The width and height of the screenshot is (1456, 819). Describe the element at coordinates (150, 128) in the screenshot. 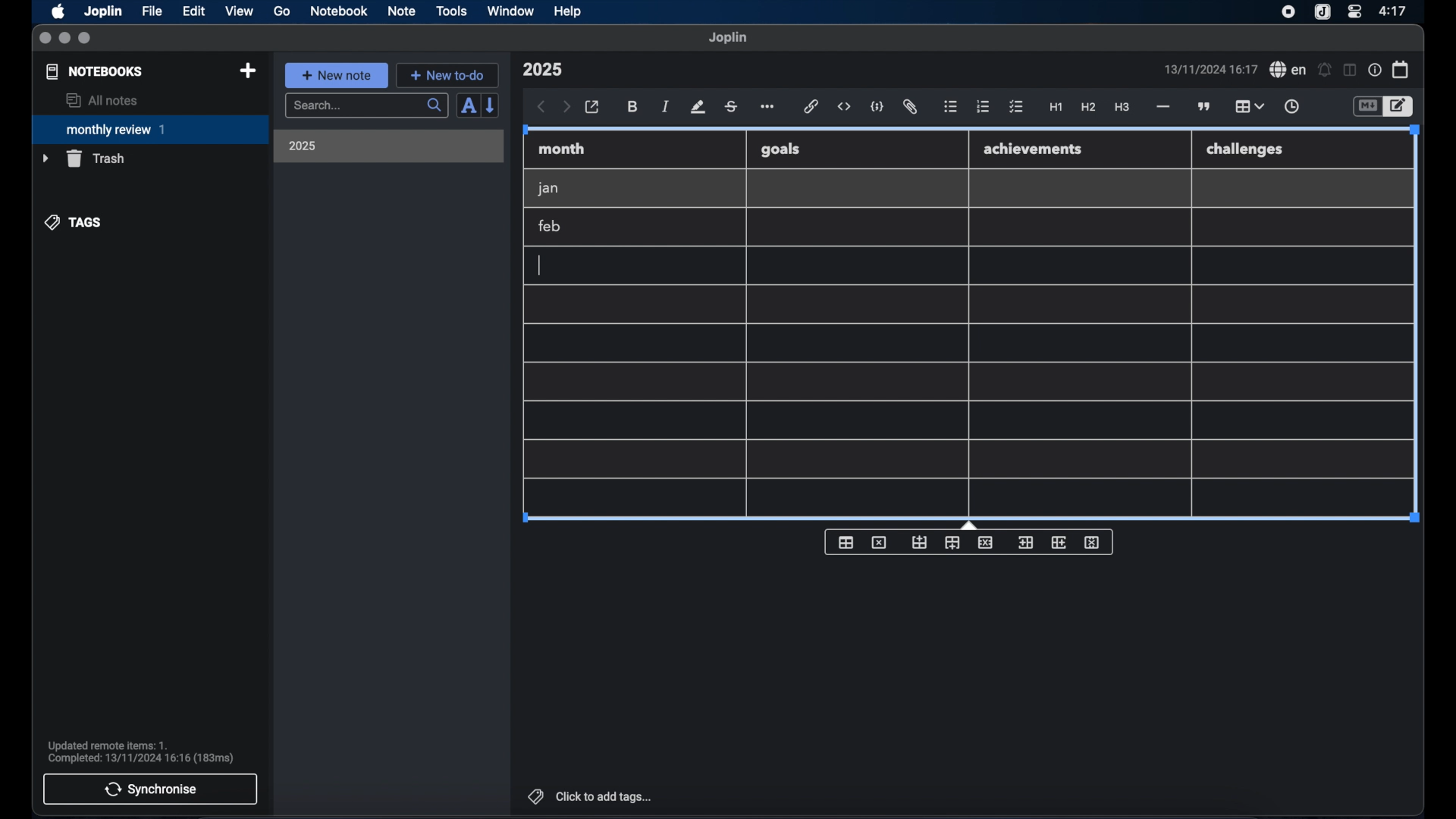

I see `monthly review` at that location.